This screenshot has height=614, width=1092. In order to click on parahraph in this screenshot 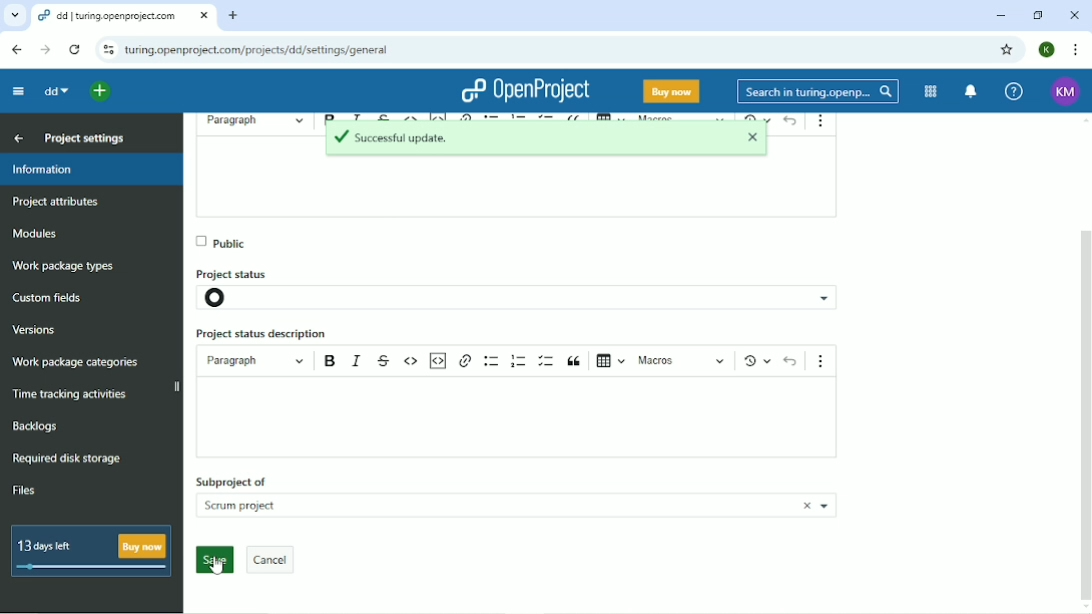, I will do `click(256, 126)`.